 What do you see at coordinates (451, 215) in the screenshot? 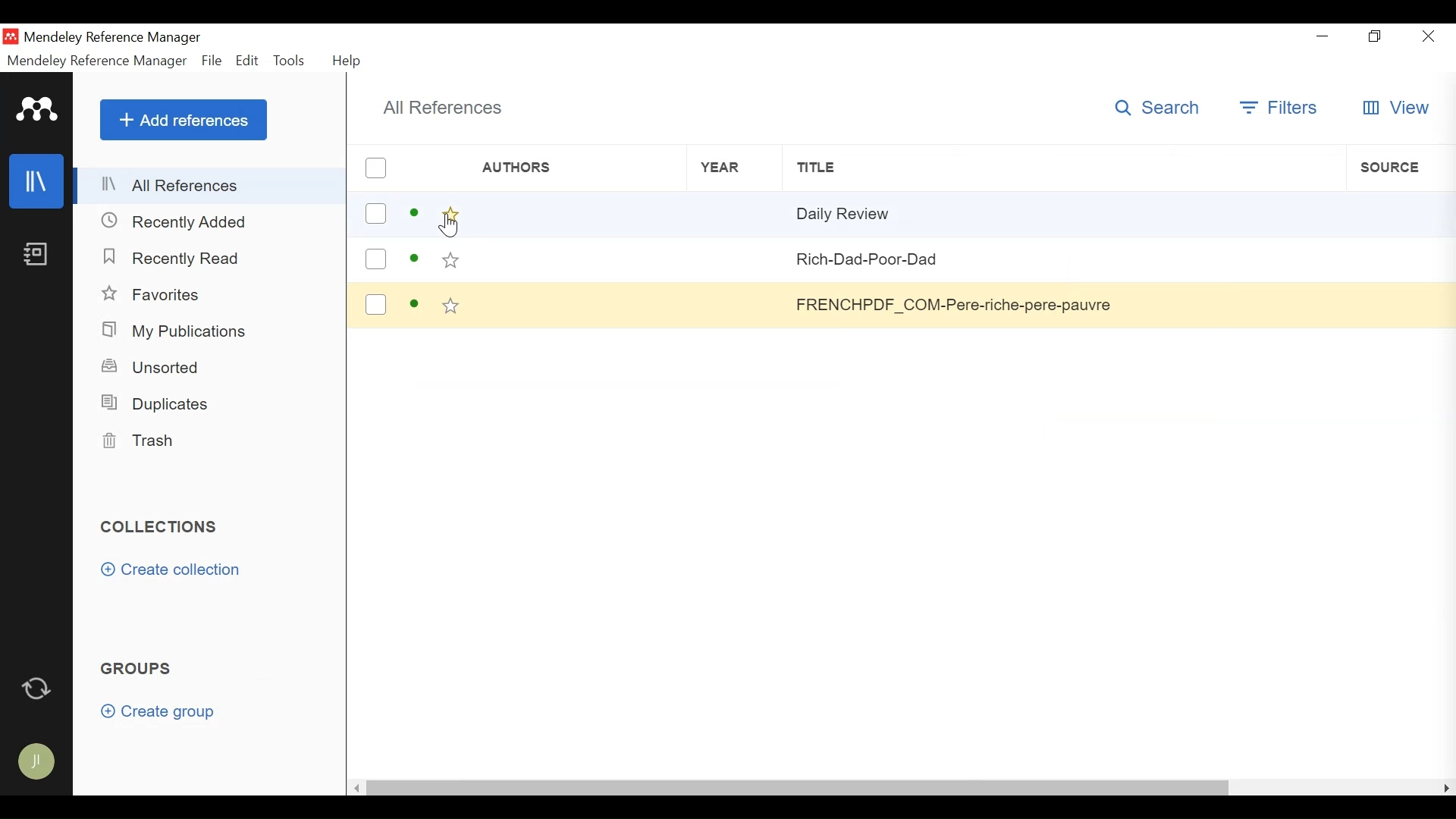
I see `(un)select Favorite` at bounding box center [451, 215].